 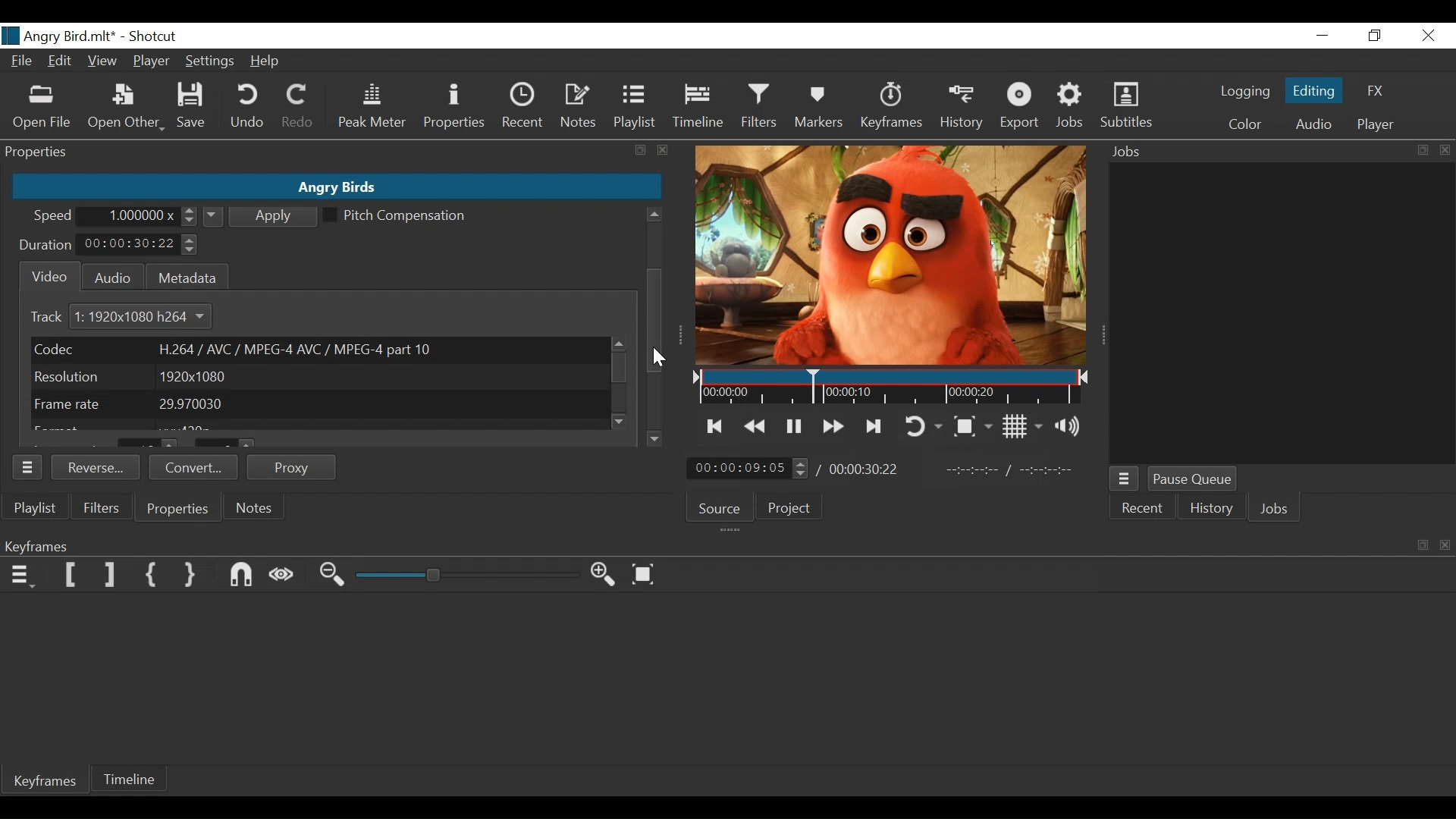 What do you see at coordinates (371, 108) in the screenshot?
I see `Peak Meter` at bounding box center [371, 108].